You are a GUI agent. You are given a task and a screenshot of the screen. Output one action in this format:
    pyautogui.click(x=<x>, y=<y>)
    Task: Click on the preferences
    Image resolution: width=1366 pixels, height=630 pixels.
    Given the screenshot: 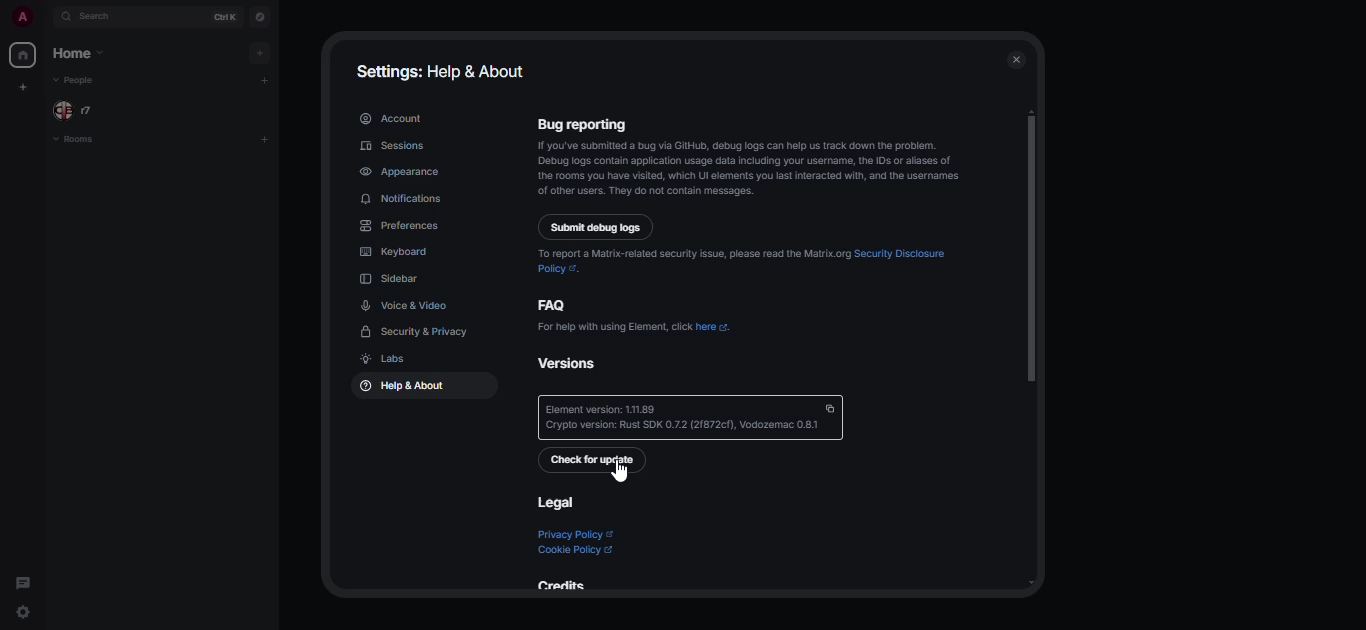 What is the action you would take?
    pyautogui.click(x=401, y=226)
    